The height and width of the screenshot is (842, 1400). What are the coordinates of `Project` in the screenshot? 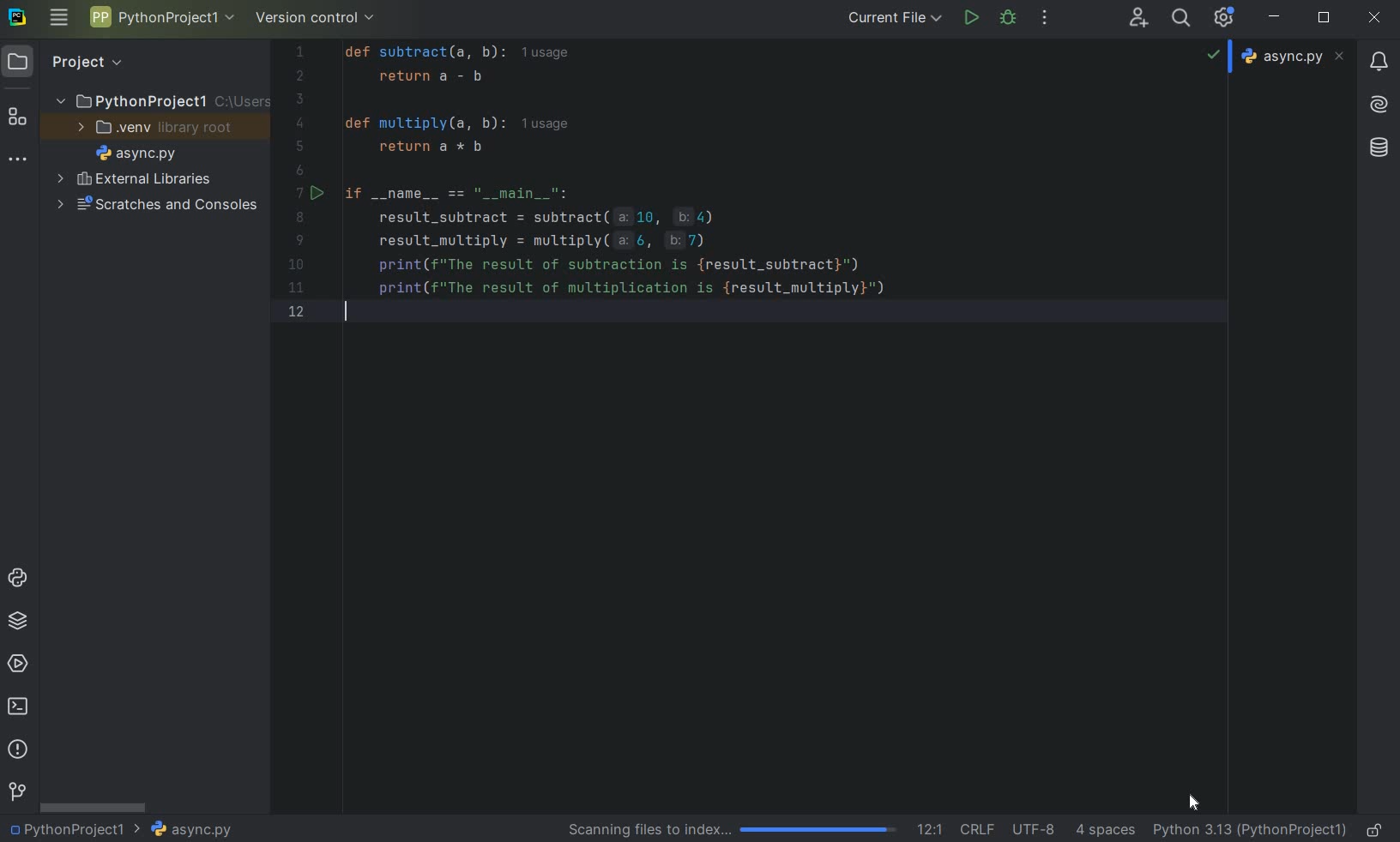 It's located at (87, 63).